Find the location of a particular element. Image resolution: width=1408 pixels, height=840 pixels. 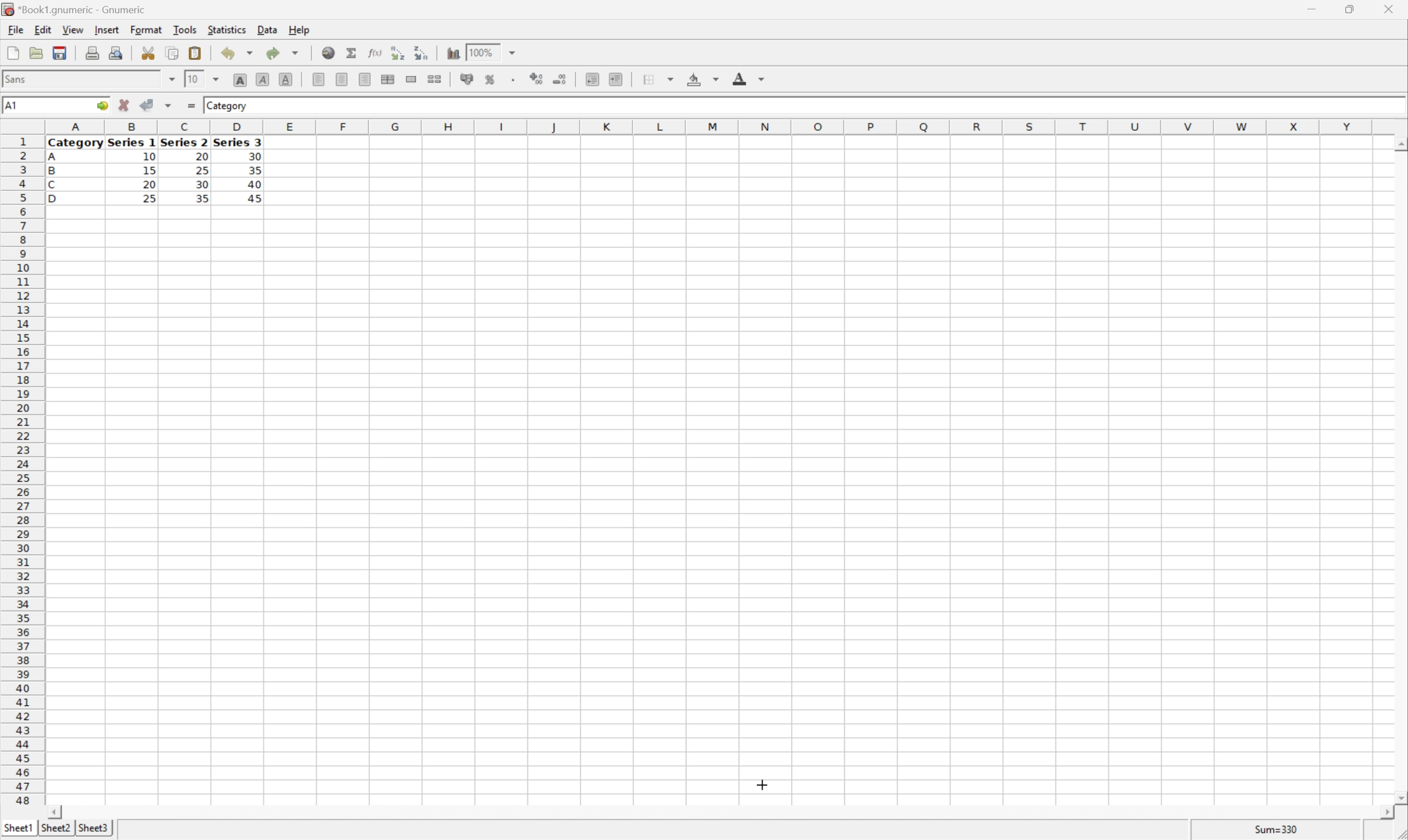

A is located at coordinates (54, 158).